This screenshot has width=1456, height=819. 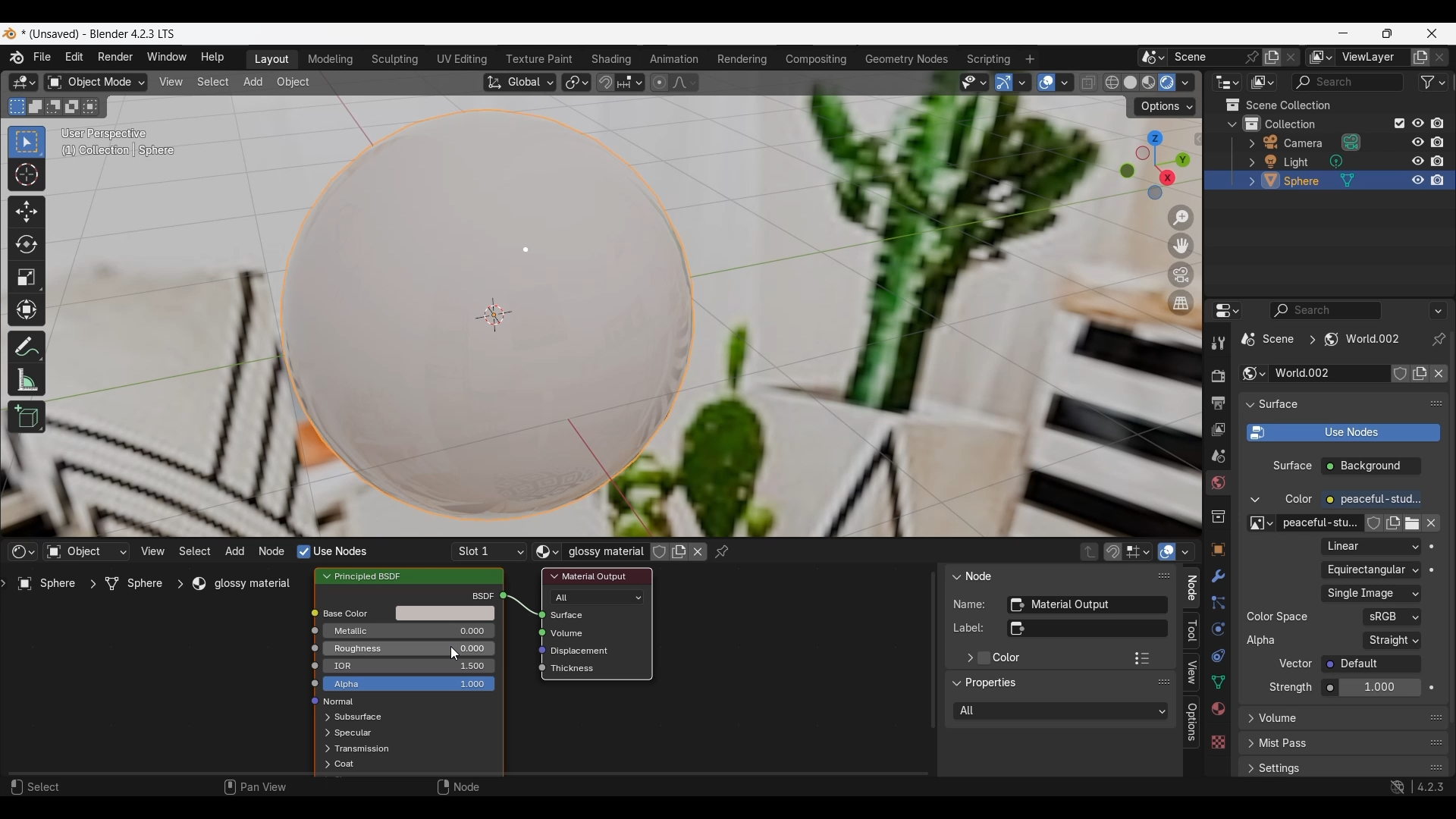 What do you see at coordinates (1254, 373) in the screenshot?
I see `Browse world settings to be linked` at bounding box center [1254, 373].